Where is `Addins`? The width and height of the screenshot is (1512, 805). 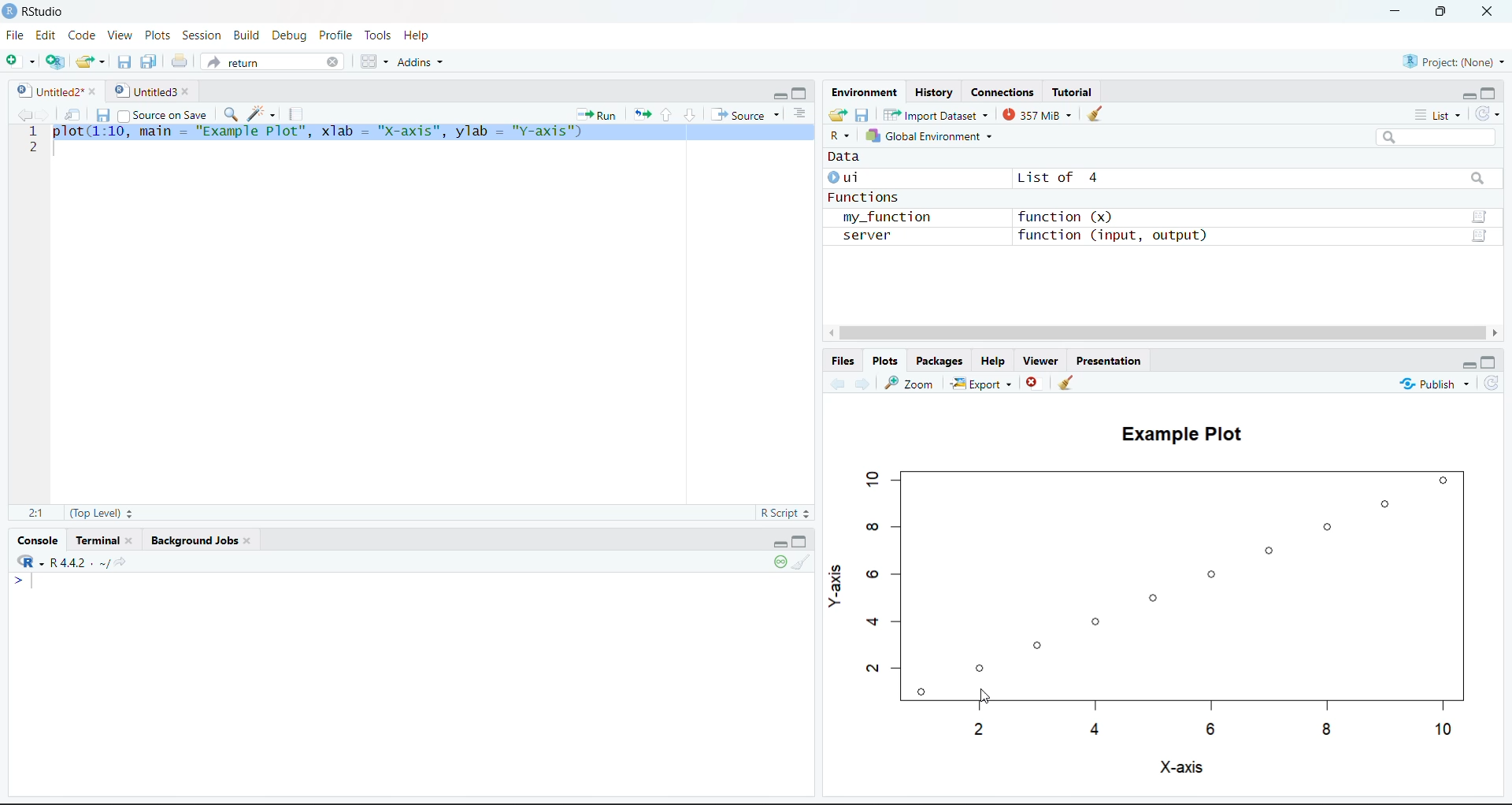 Addins is located at coordinates (421, 61).